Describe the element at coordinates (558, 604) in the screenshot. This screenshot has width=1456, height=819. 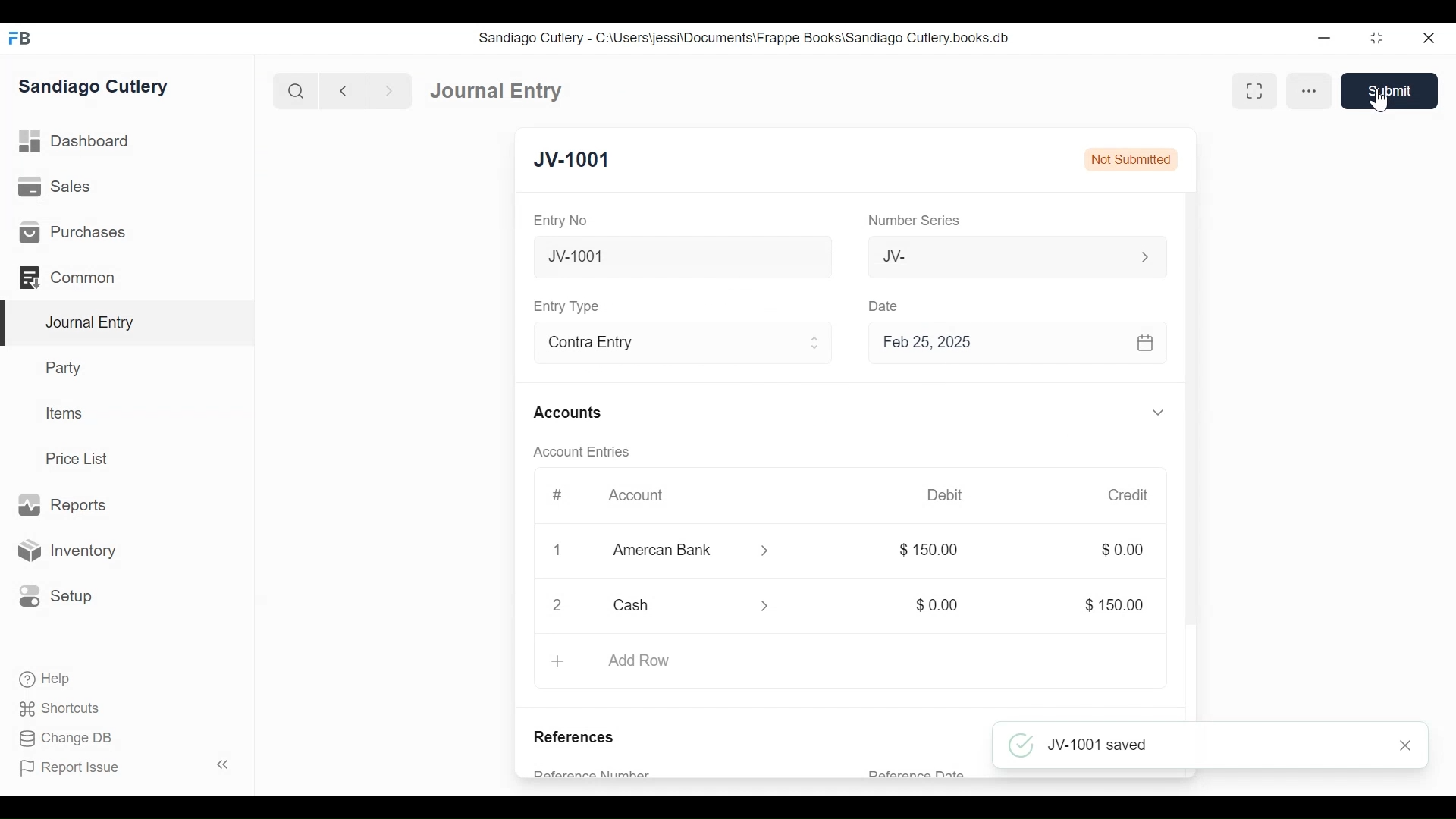
I see `close` at that location.